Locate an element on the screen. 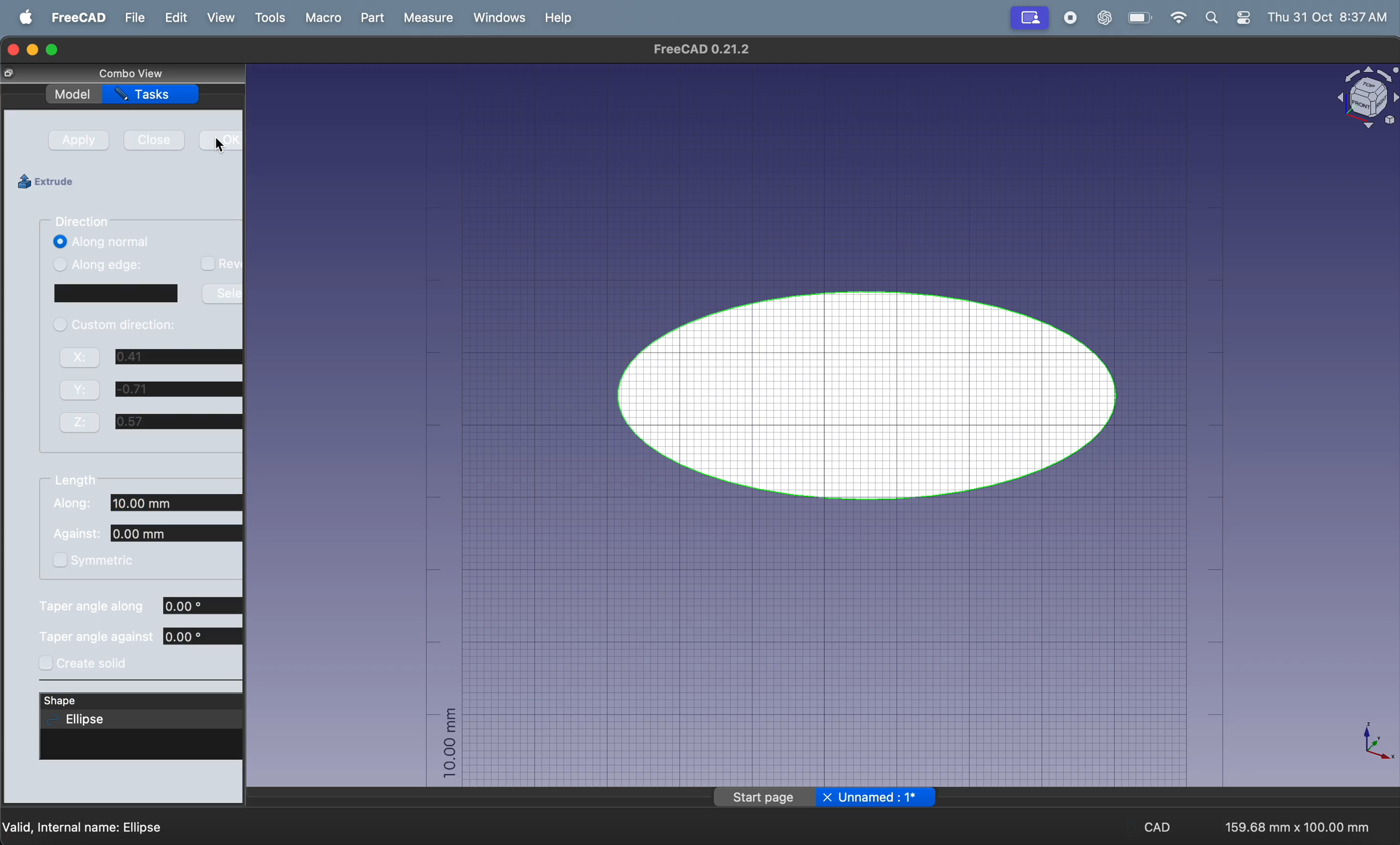 Image resolution: width=1400 pixels, height=845 pixels. 10.0mm is located at coordinates (180, 533).